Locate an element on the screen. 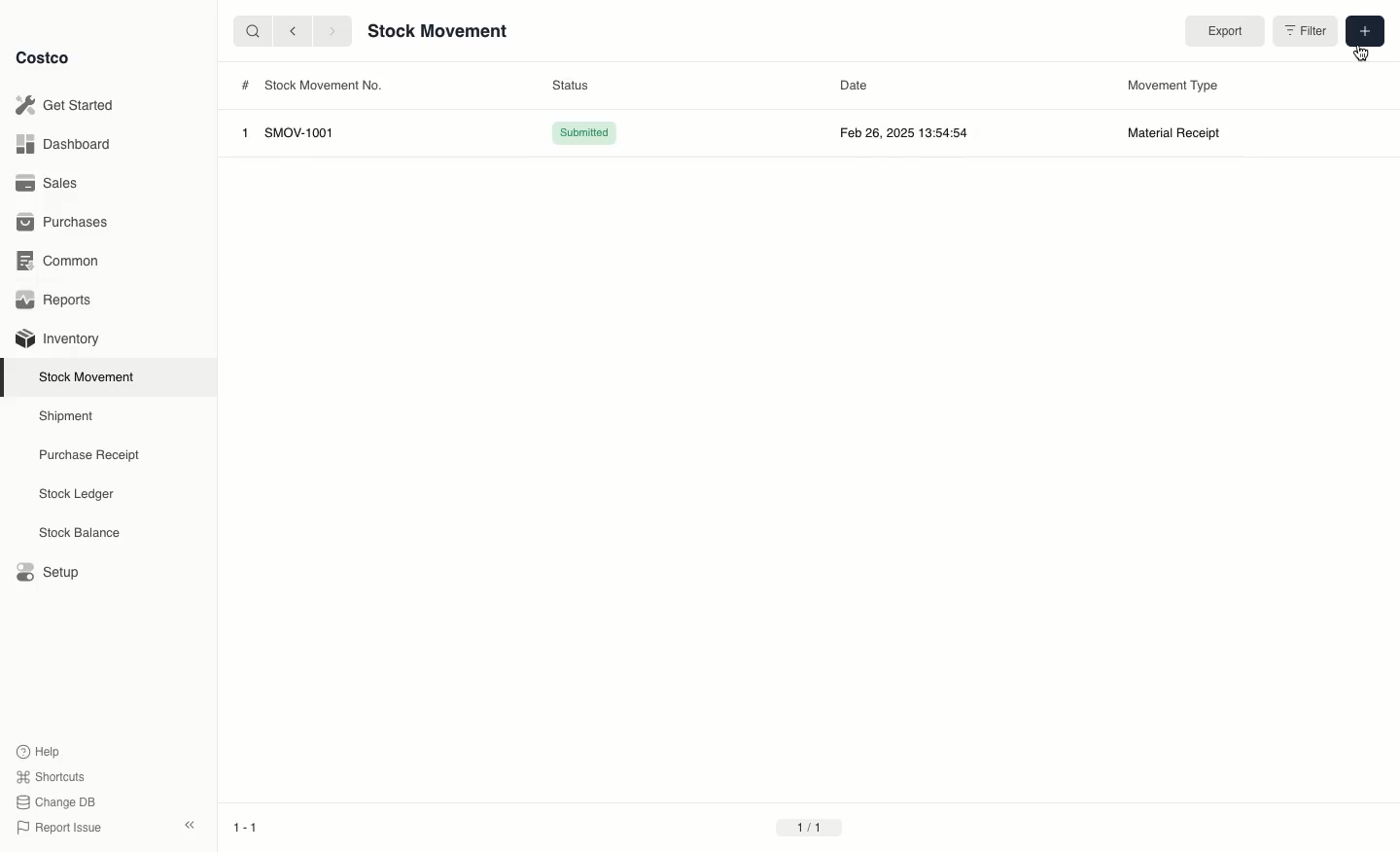 Image resolution: width=1400 pixels, height=852 pixels. backward is located at coordinates (296, 32).